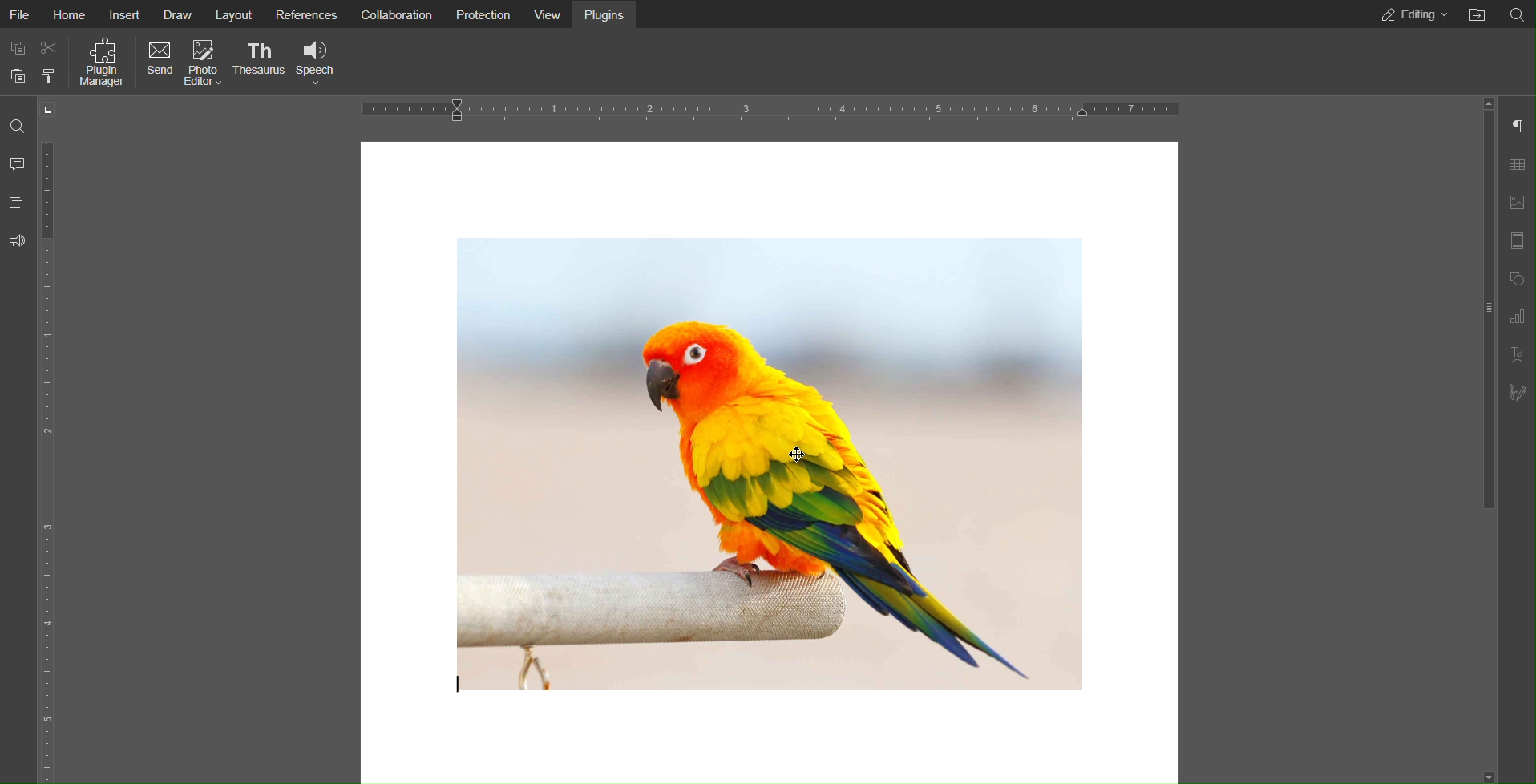 The height and width of the screenshot is (784, 1536). I want to click on Cut, so click(51, 44).